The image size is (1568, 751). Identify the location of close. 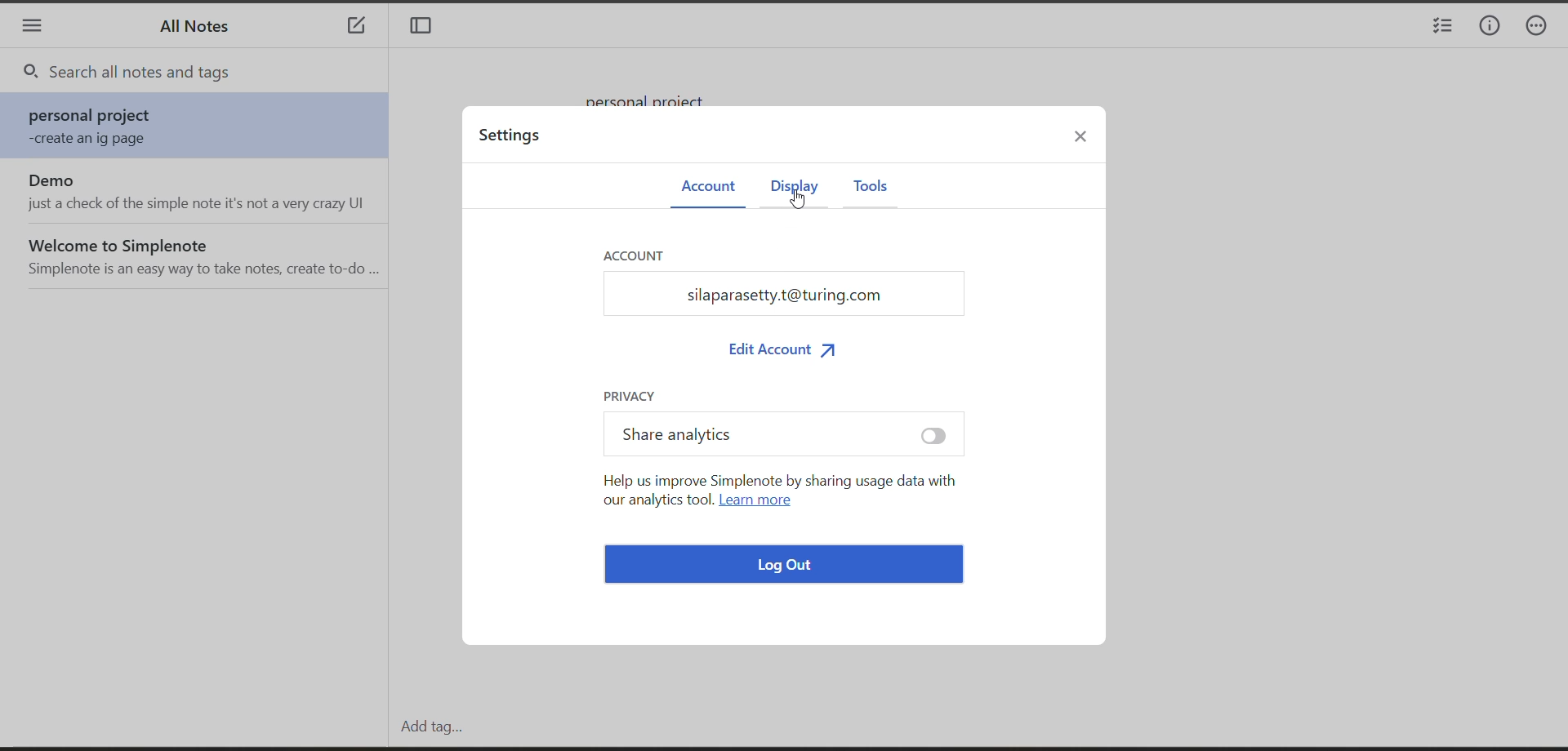
(1088, 140).